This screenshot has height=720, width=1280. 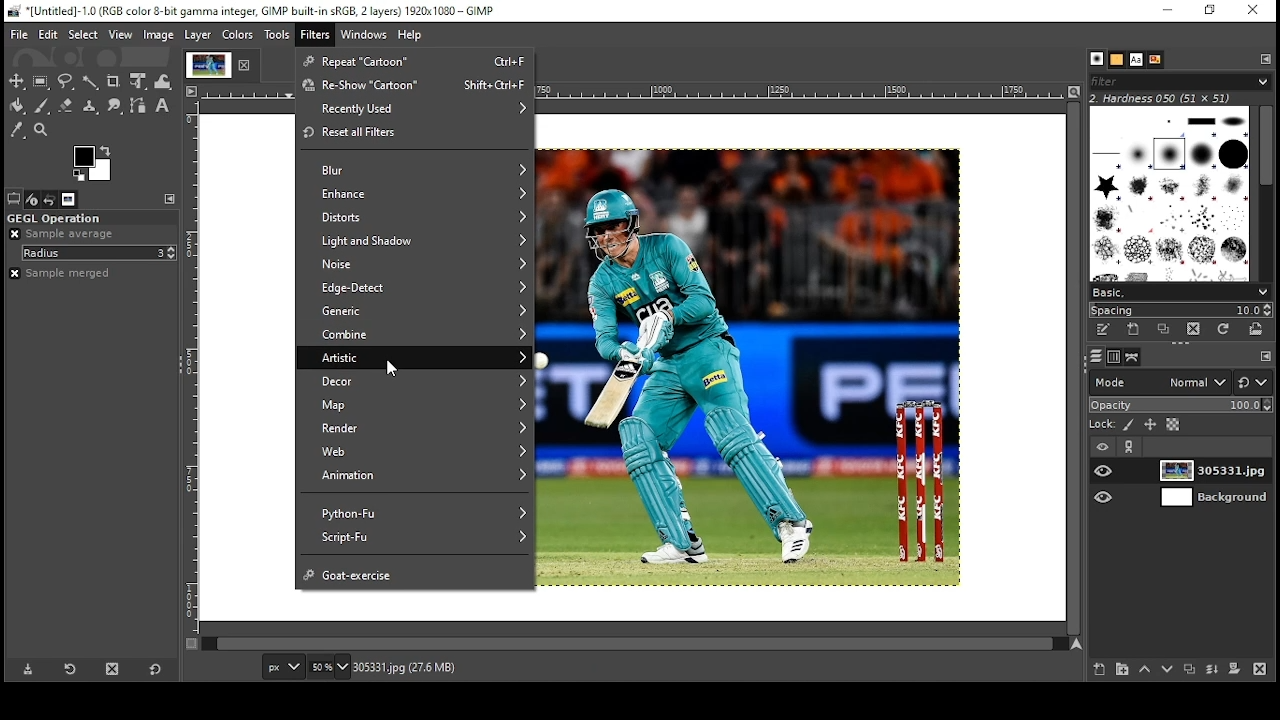 What do you see at coordinates (254, 11) in the screenshot?
I see `icon and filename` at bounding box center [254, 11].